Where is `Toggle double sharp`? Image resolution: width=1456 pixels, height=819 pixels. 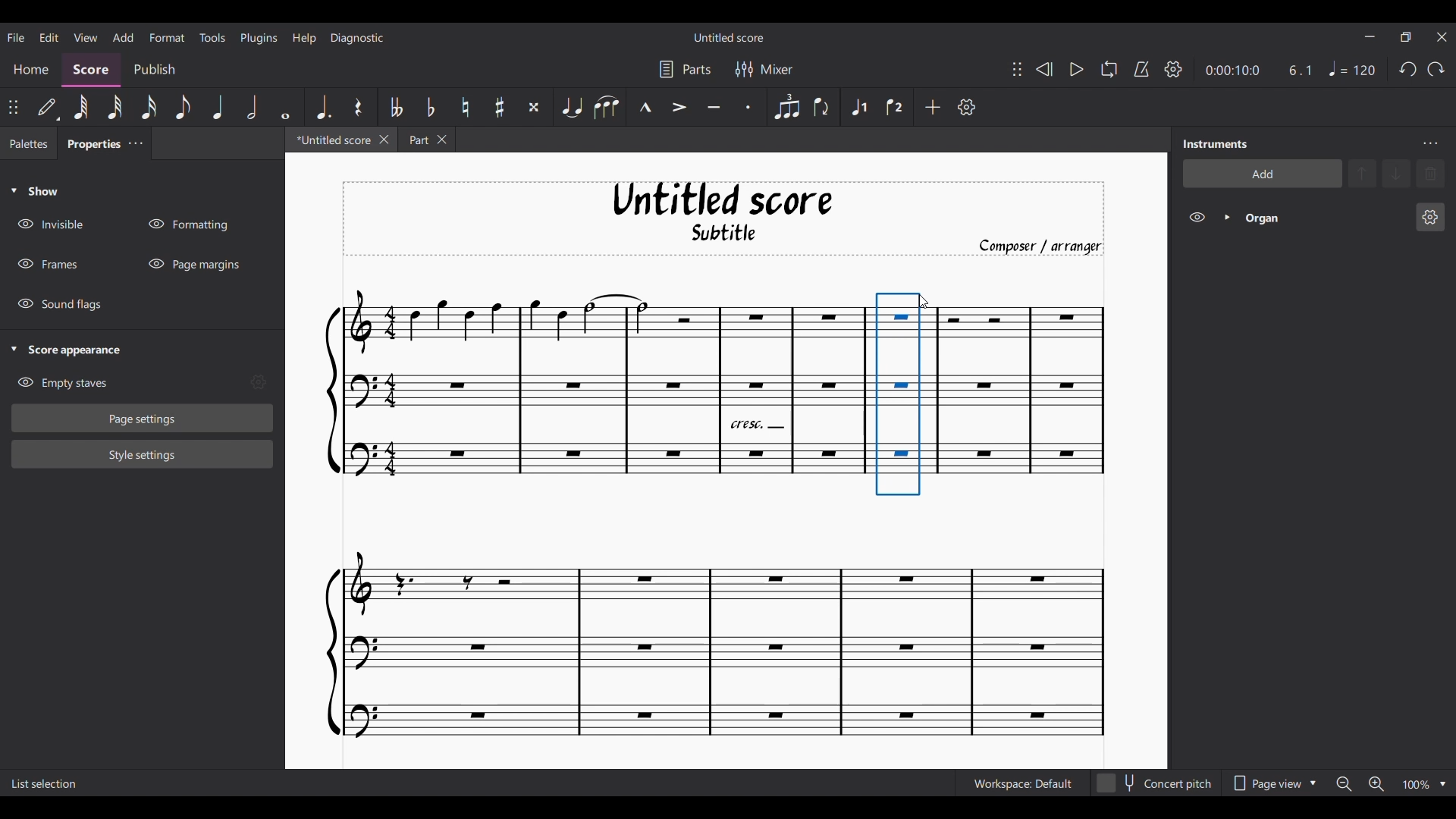 Toggle double sharp is located at coordinates (532, 107).